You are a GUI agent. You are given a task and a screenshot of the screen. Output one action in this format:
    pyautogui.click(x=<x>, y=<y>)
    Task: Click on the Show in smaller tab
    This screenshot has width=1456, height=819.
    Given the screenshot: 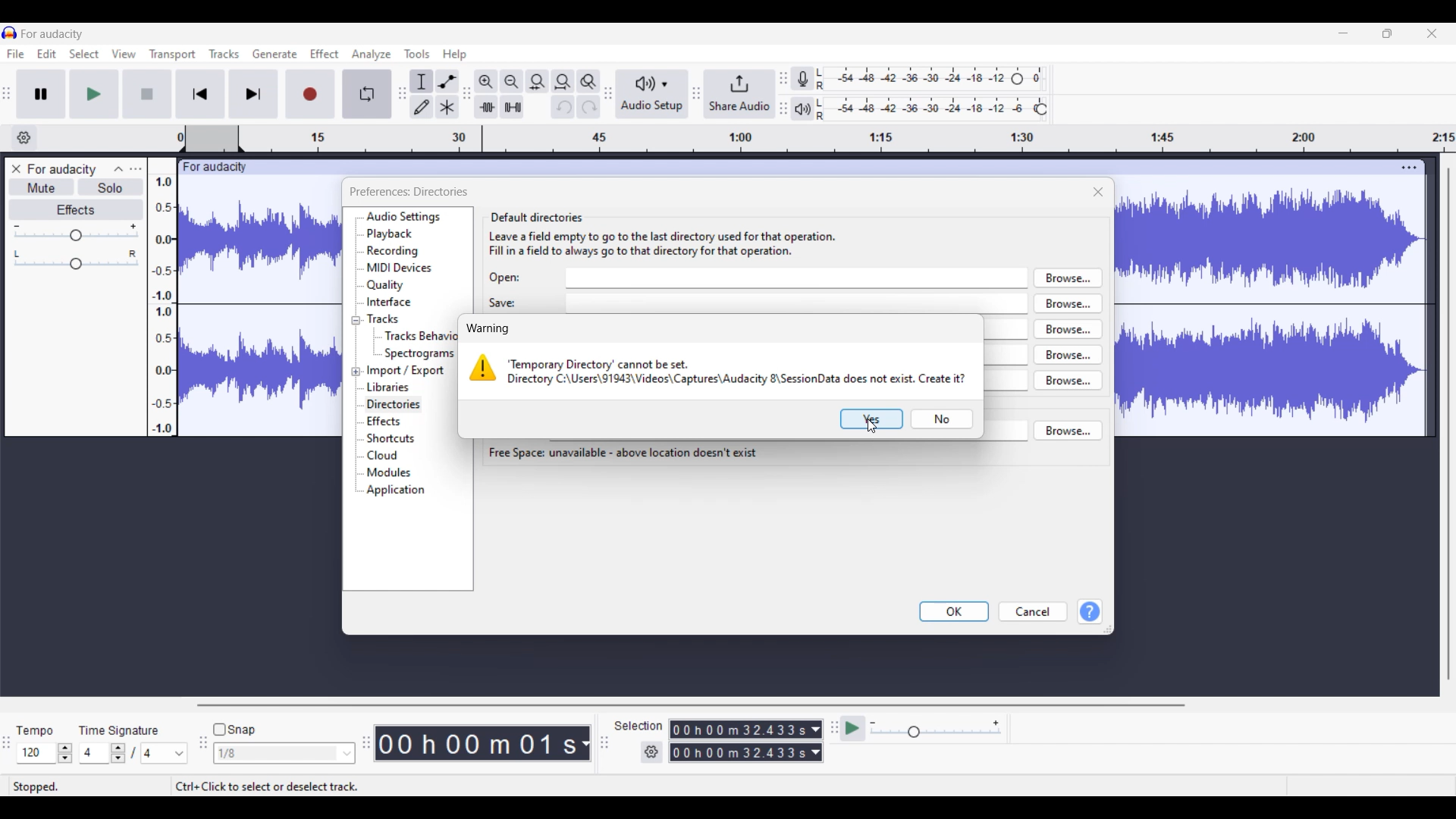 What is the action you would take?
    pyautogui.click(x=1388, y=33)
    